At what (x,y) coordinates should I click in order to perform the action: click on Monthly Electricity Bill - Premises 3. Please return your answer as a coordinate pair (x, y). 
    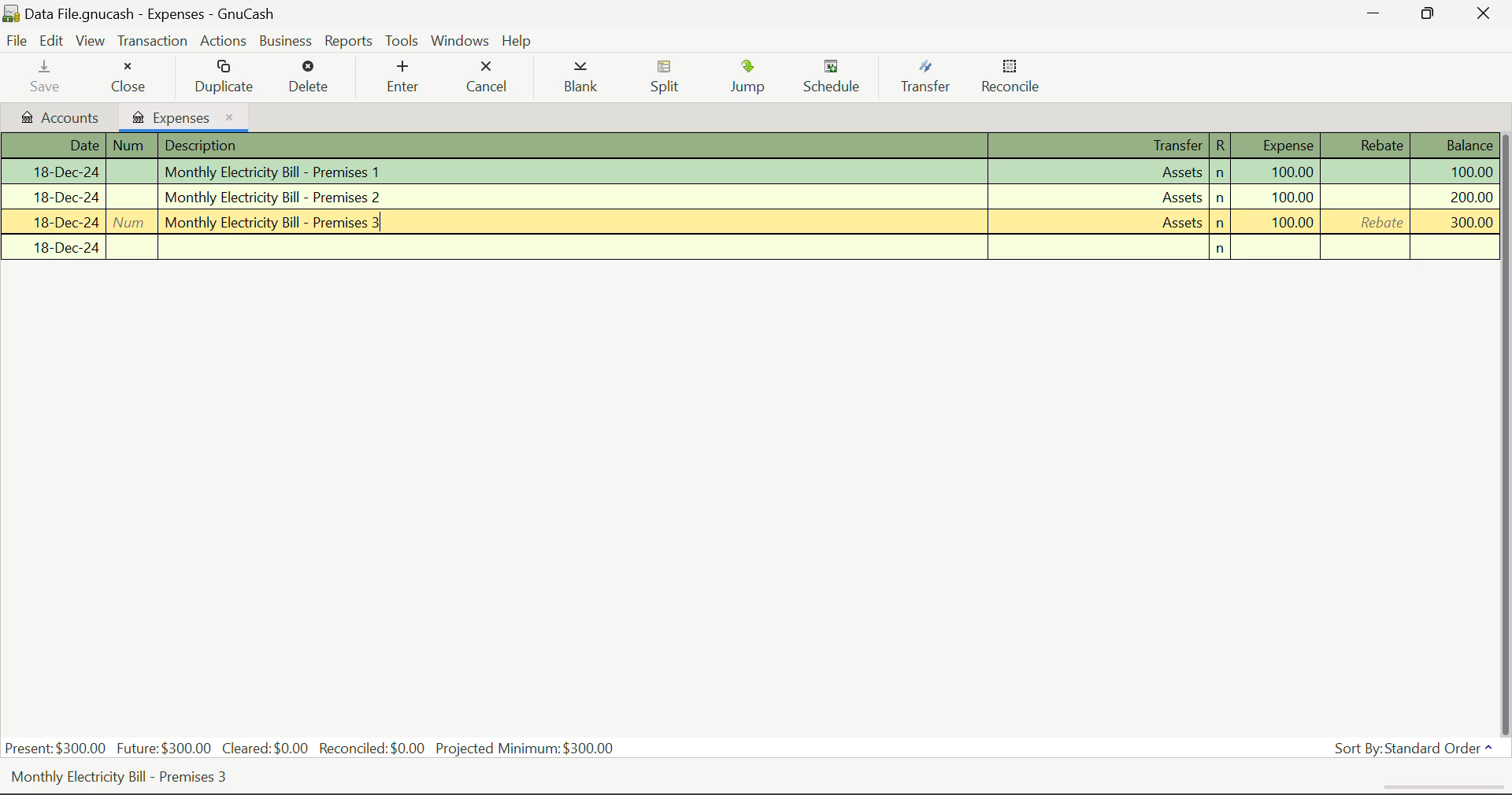
    Looking at the image, I should click on (124, 778).